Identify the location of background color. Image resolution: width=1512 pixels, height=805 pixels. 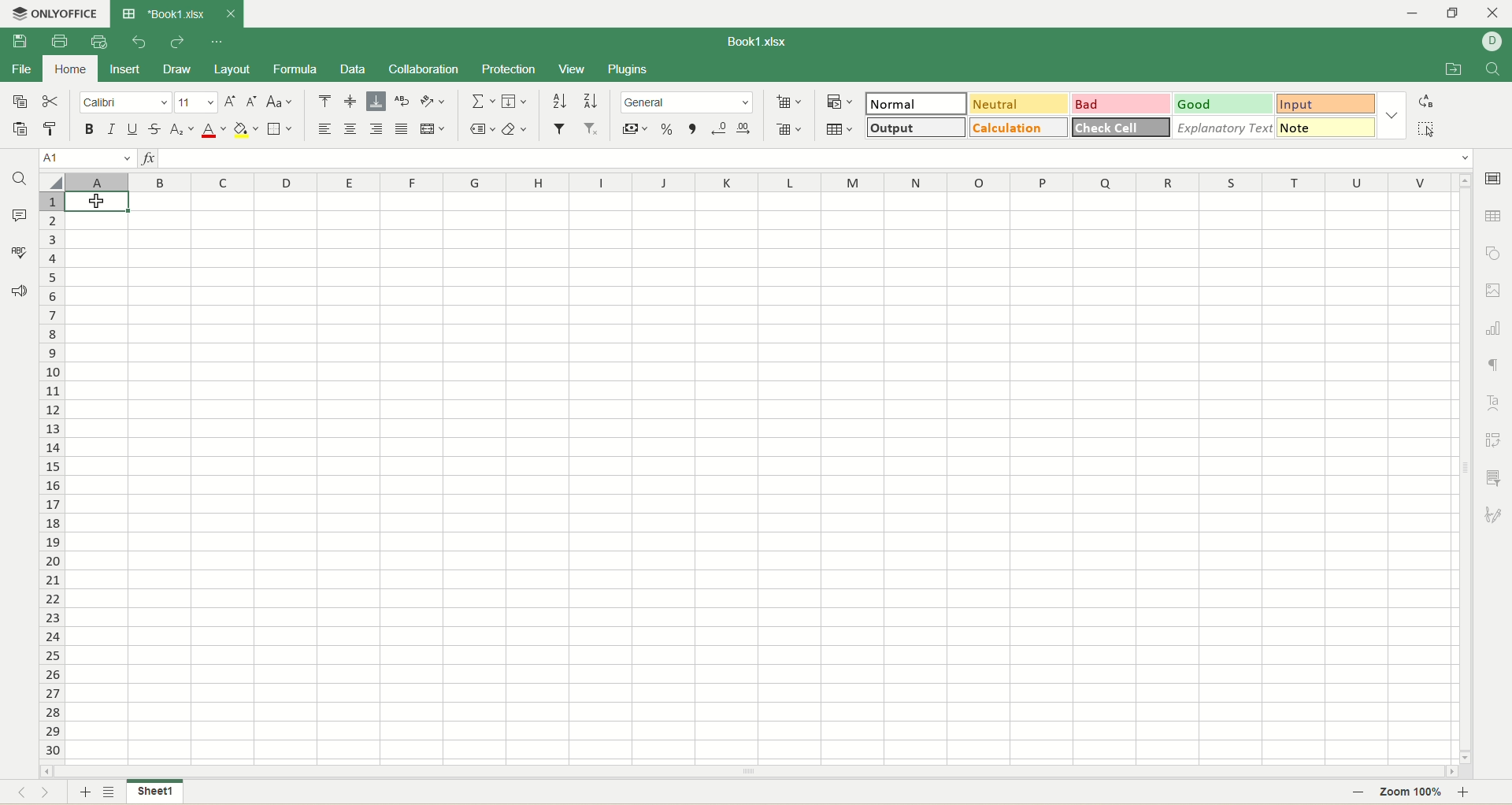
(245, 129).